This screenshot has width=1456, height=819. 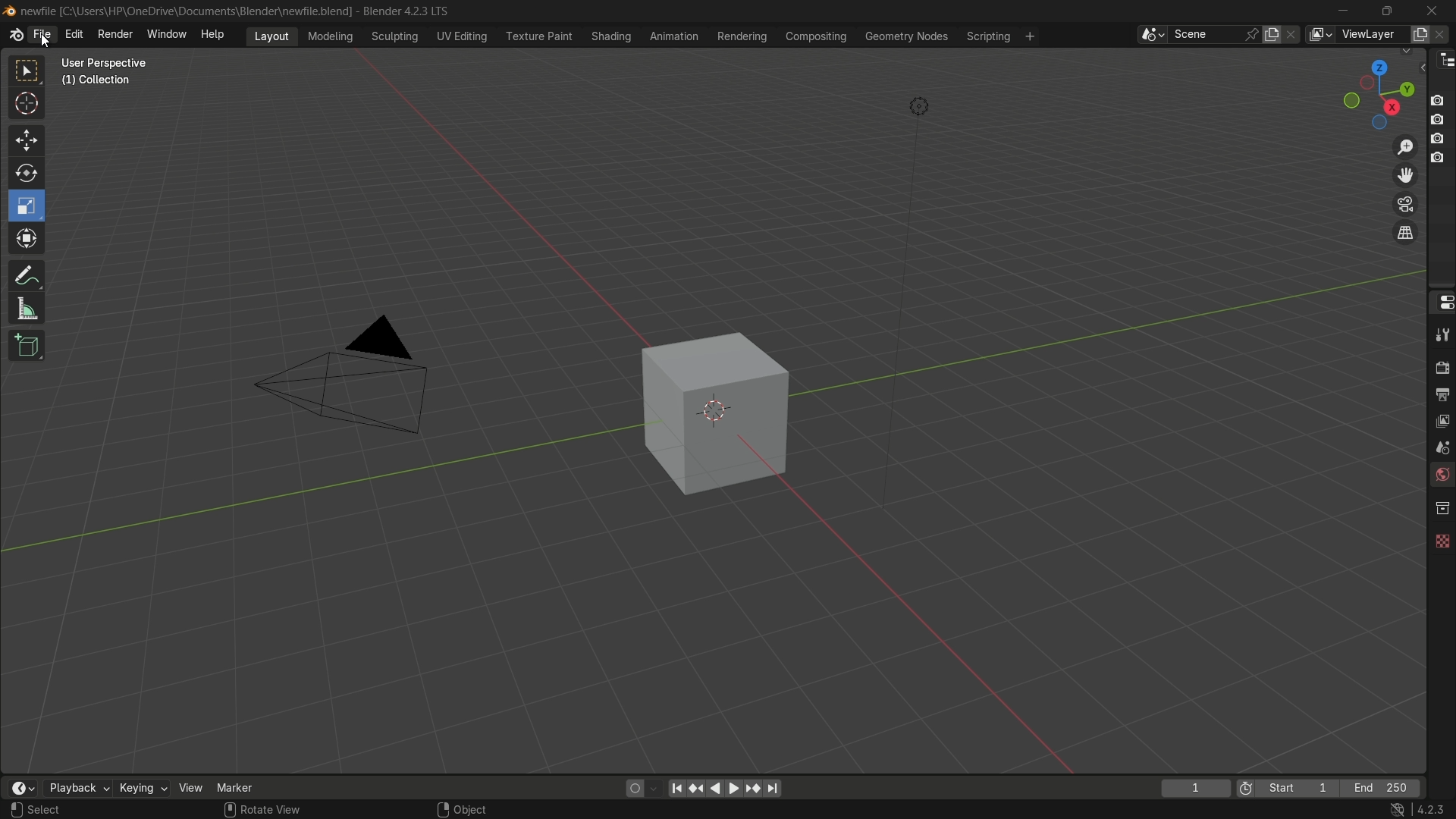 What do you see at coordinates (725, 788) in the screenshot?
I see `play animation` at bounding box center [725, 788].